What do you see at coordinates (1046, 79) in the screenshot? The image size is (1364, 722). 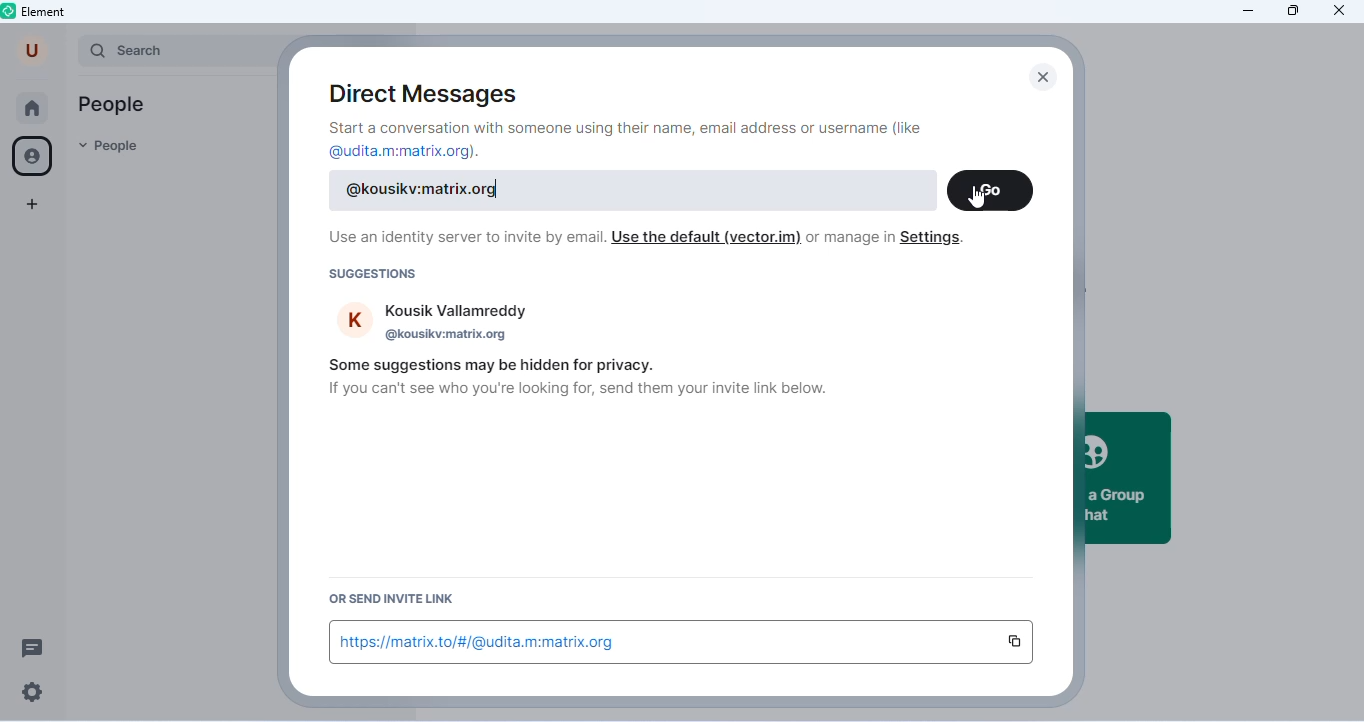 I see `close` at bounding box center [1046, 79].